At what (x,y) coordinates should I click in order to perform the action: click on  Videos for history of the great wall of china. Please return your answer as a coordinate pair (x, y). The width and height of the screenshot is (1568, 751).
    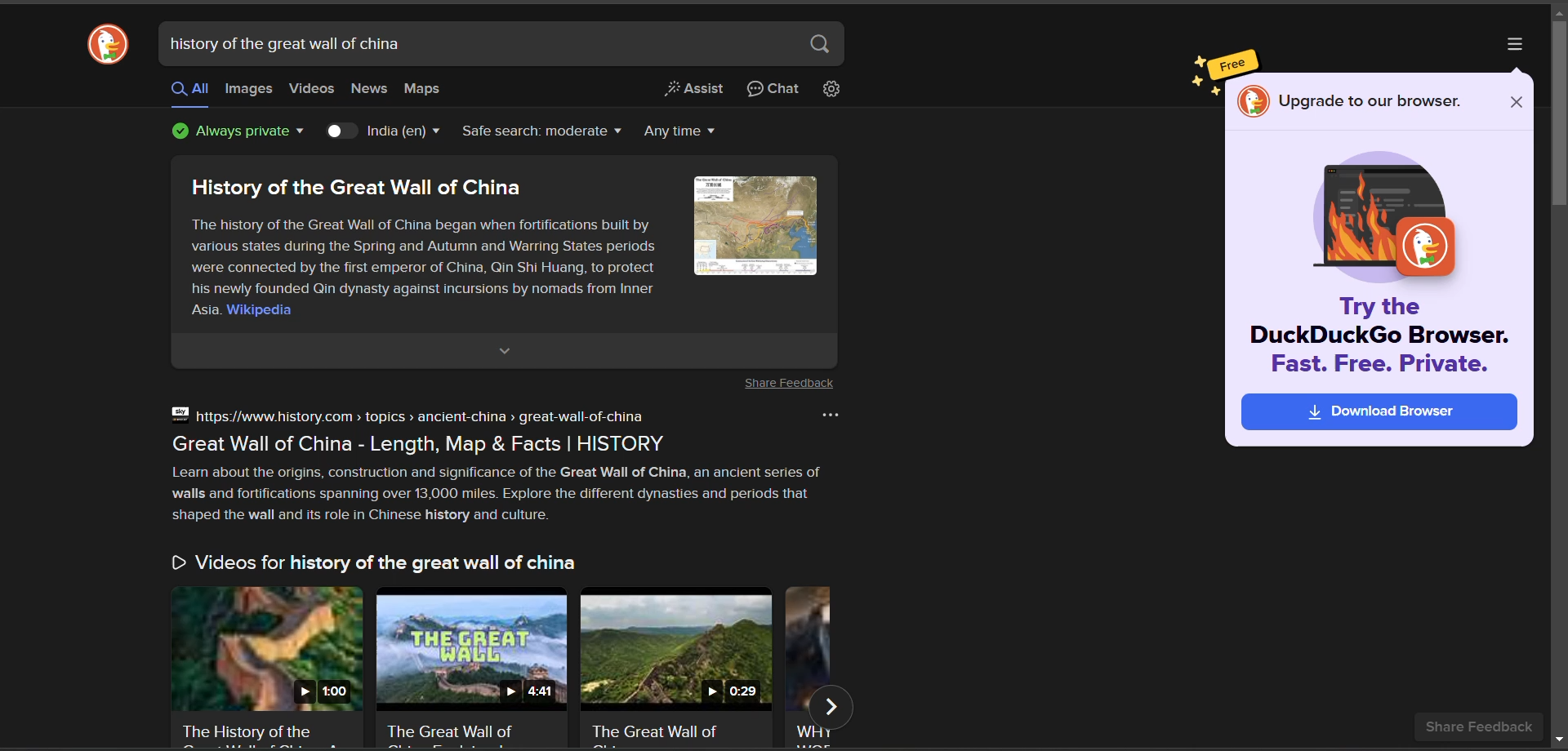
    Looking at the image, I should click on (376, 562).